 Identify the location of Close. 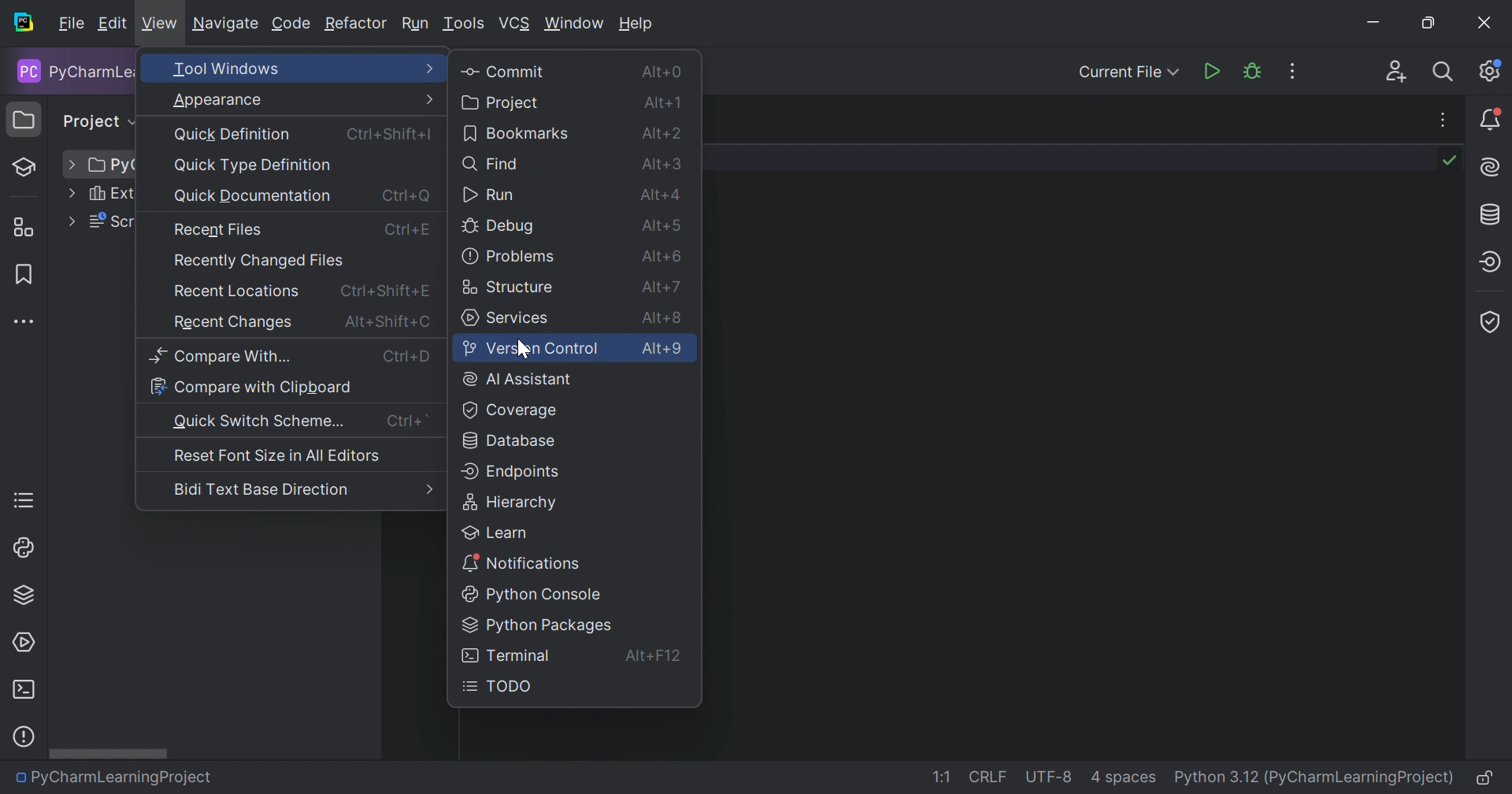
(1482, 21).